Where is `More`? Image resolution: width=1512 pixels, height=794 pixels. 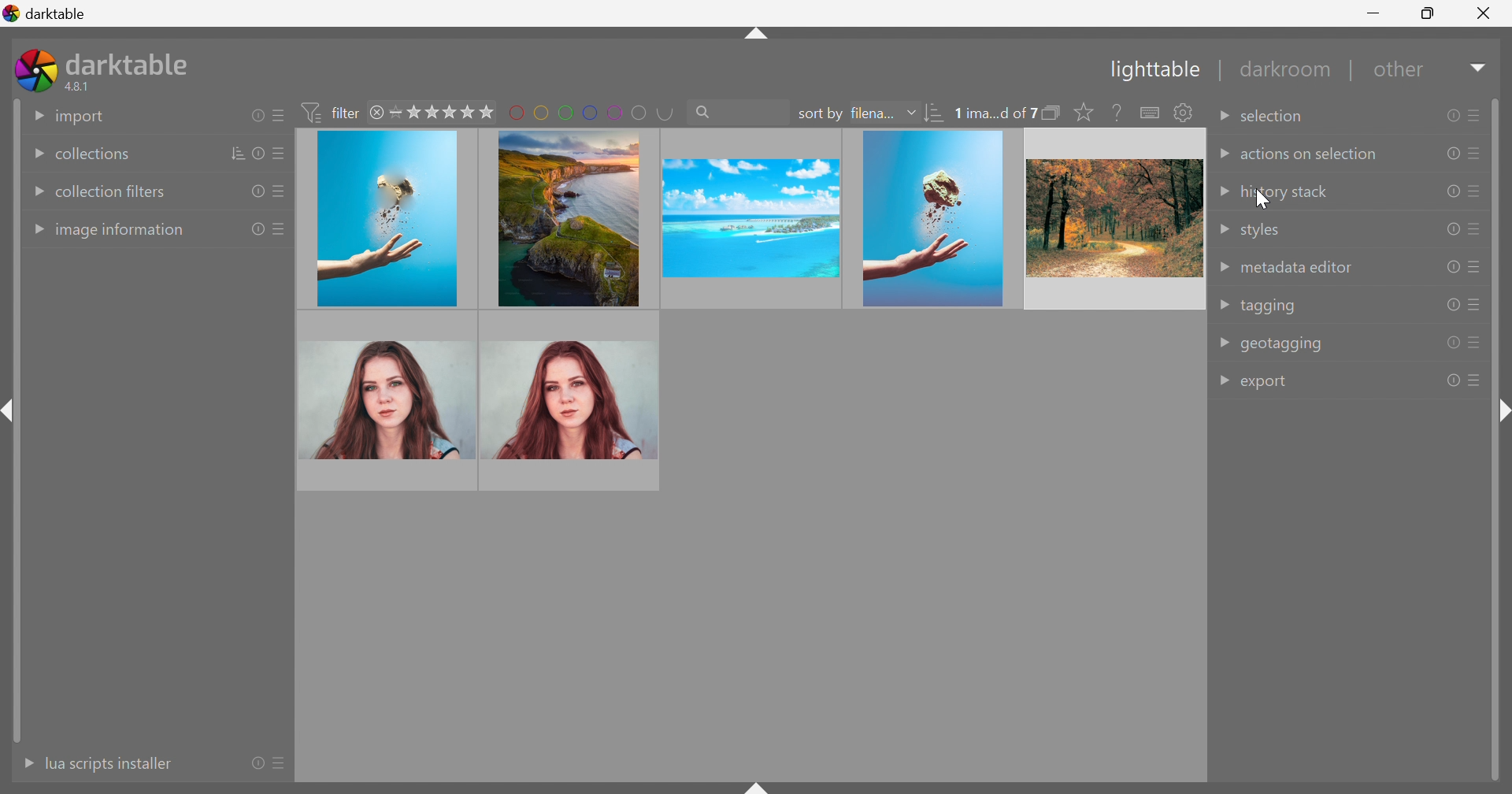 More is located at coordinates (23, 763).